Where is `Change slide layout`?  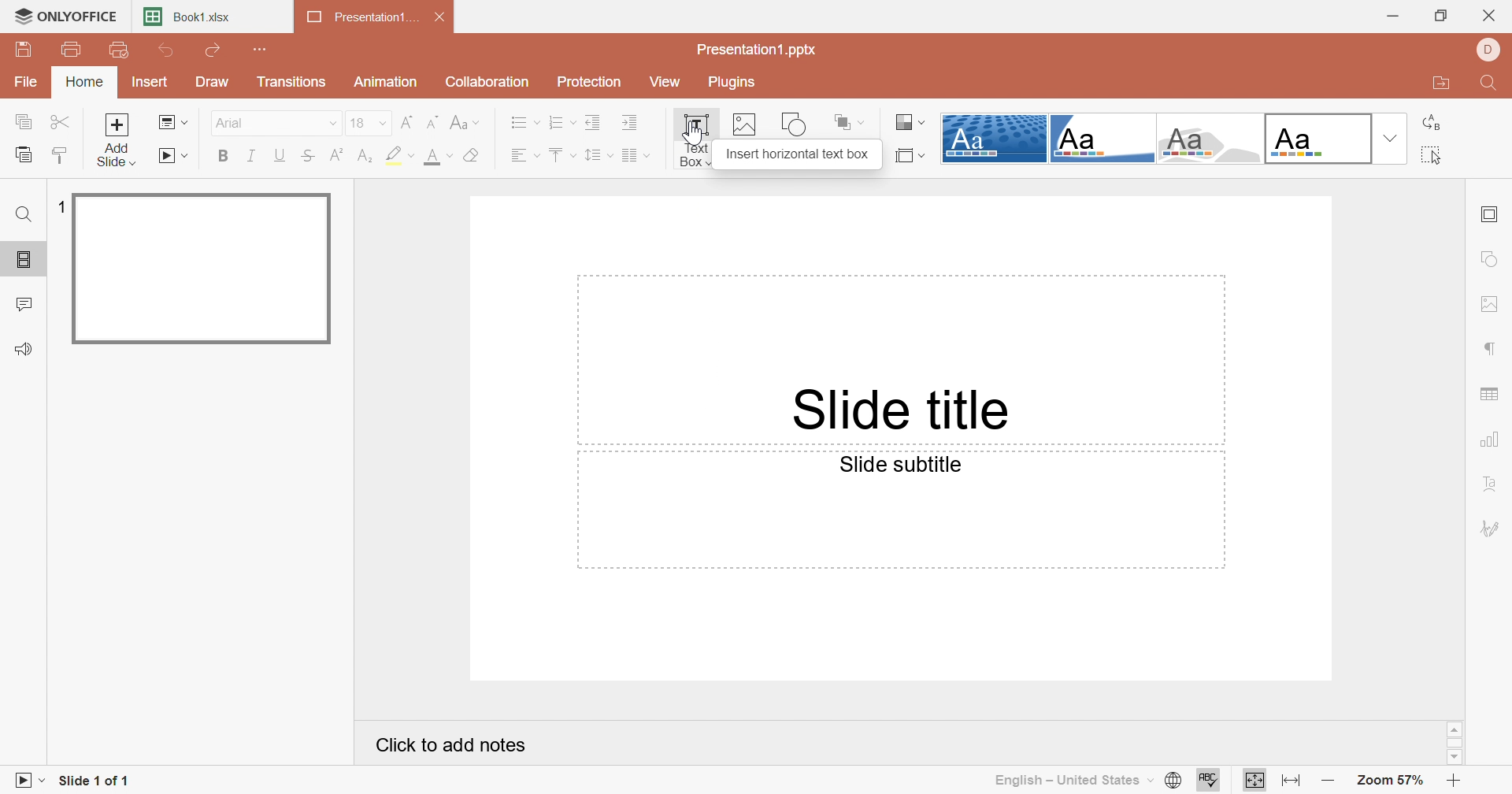 Change slide layout is located at coordinates (172, 123).